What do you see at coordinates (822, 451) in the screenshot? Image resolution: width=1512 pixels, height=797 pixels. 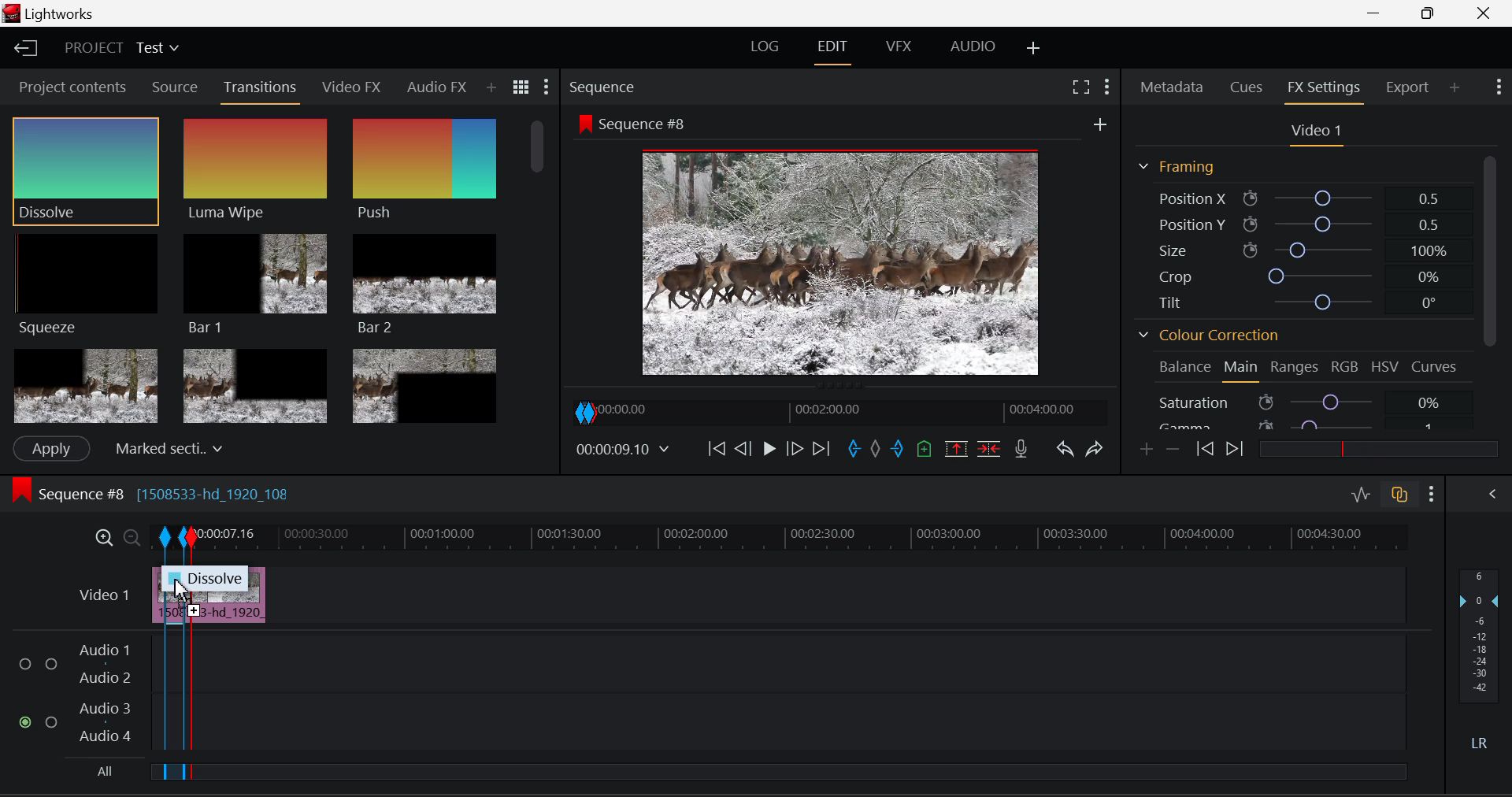 I see `To End` at bounding box center [822, 451].